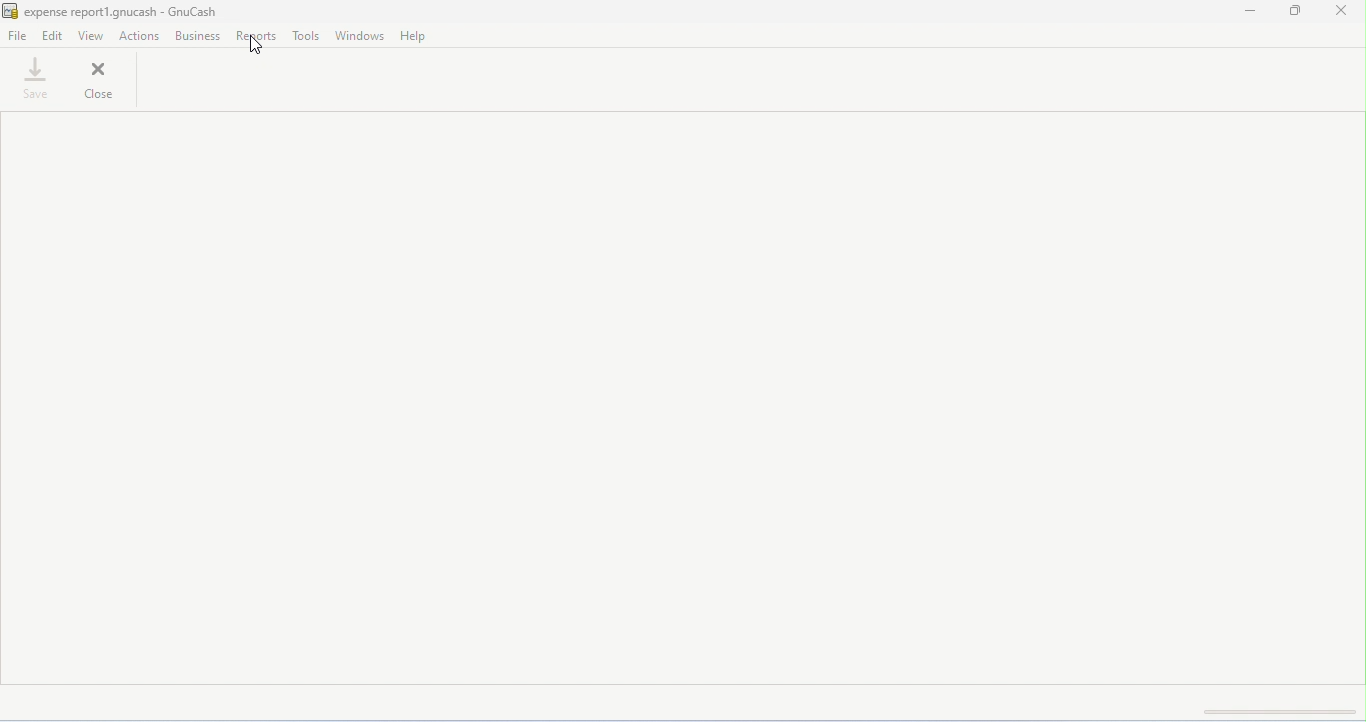 Image resolution: width=1366 pixels, height=722 pixels. Describe the element at coordinates (255, 47) in the screenshot. I see `cursor` at that location.